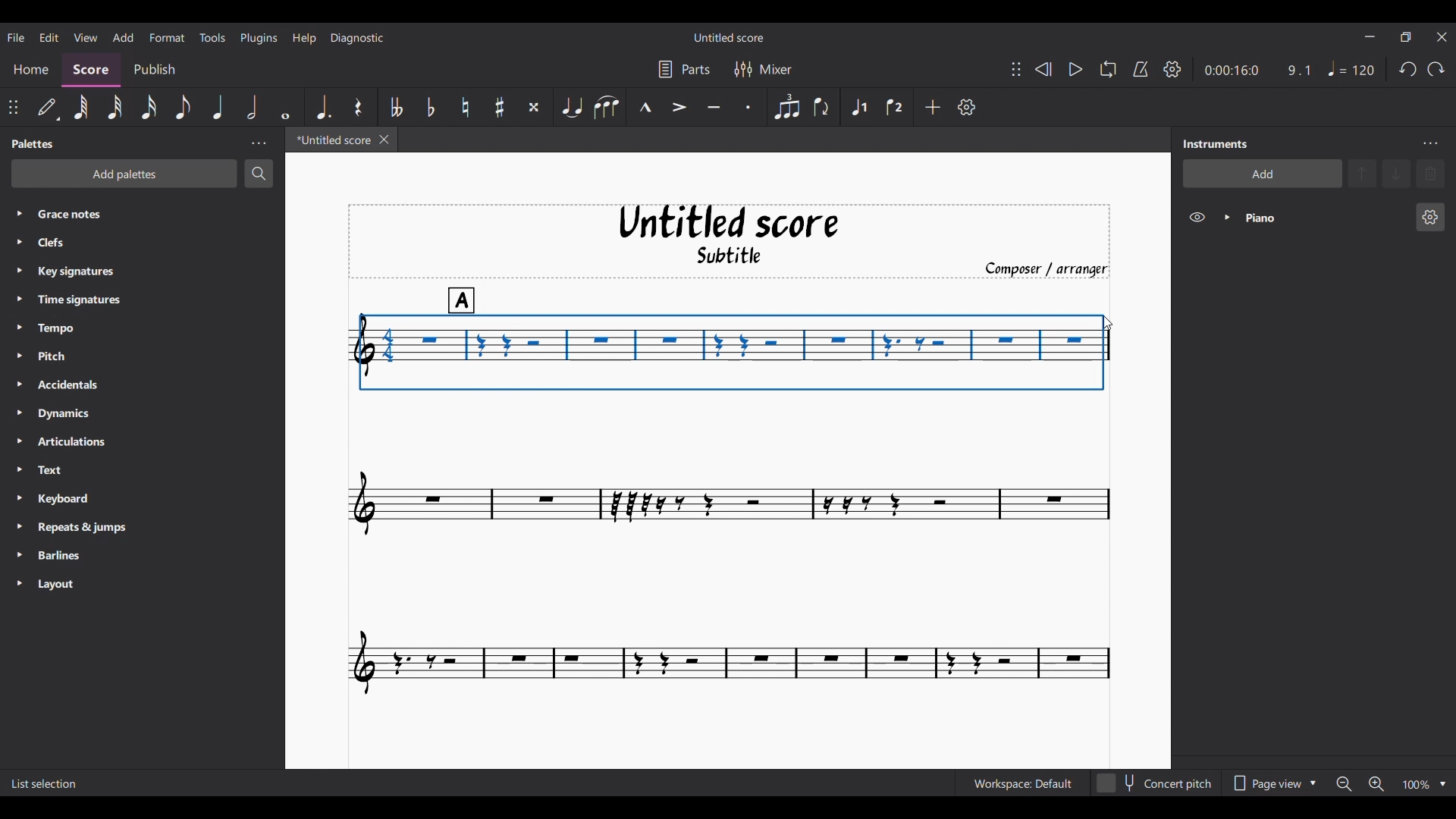  What do you see at coordinates (1075, 69) in the screenshot?
I see `Play` at bounding box center [1075, 69].